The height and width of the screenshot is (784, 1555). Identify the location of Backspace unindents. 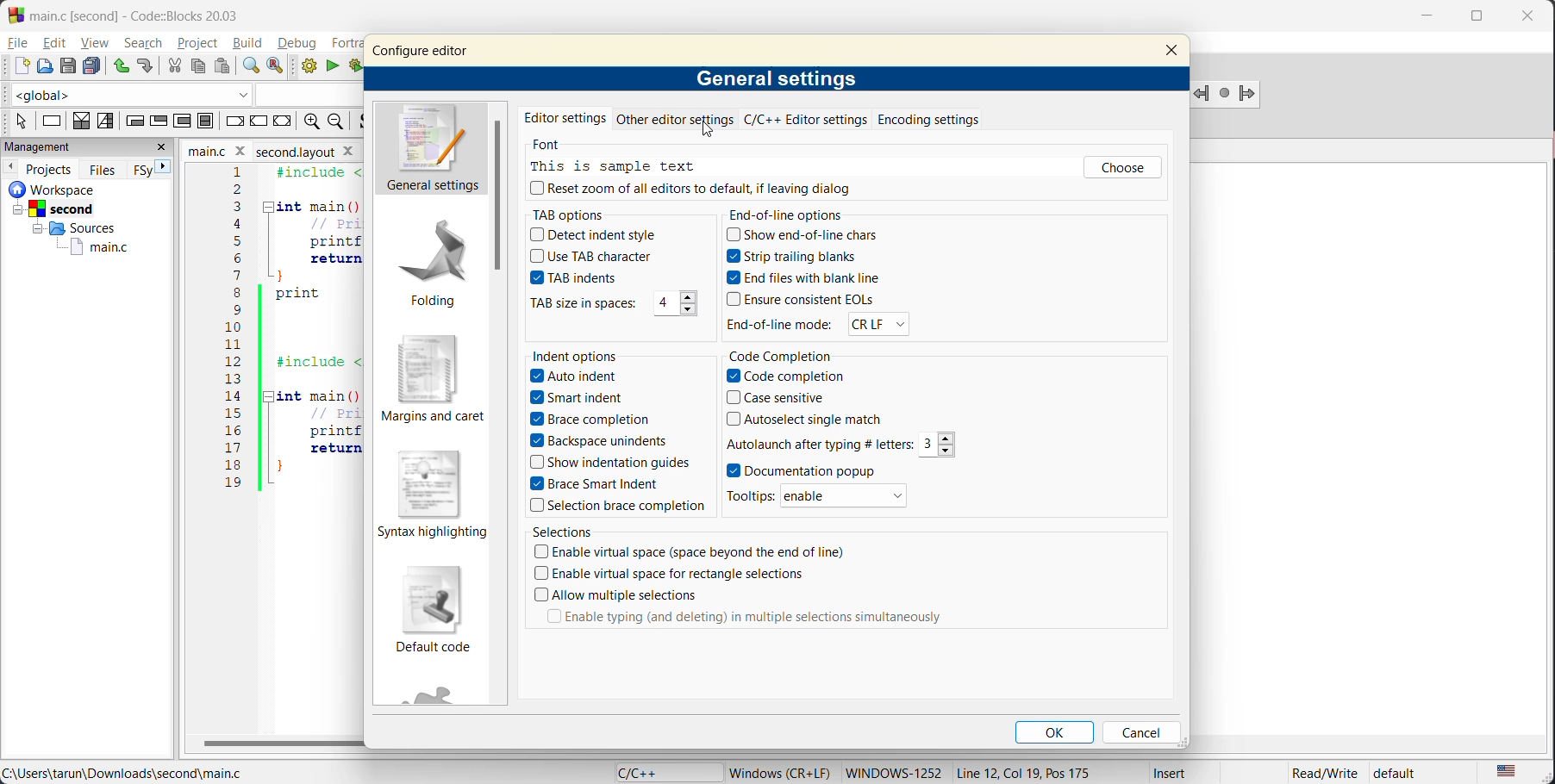
(600, 441).